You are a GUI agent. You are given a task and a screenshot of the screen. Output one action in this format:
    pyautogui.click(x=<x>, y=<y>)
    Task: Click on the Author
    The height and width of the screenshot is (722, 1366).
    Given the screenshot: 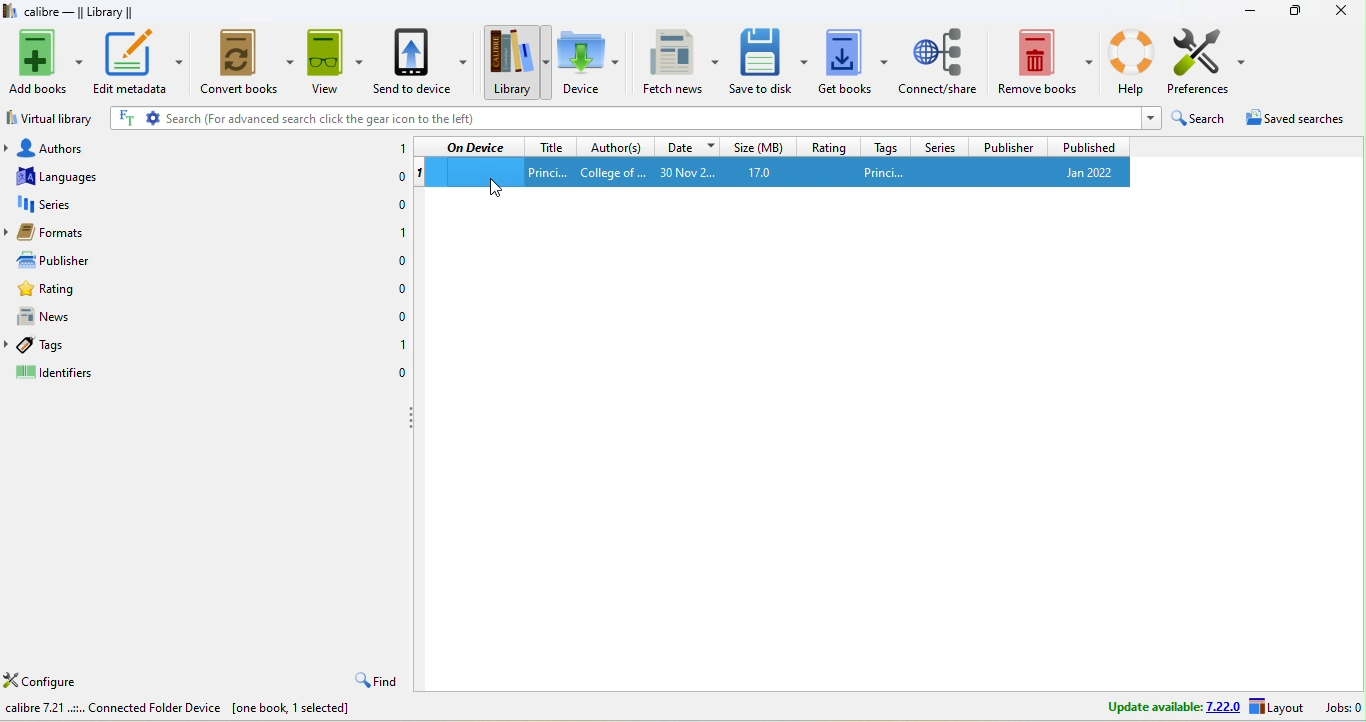 What is the action you would take?
    pyautogui.click(x=612, y=172)
    